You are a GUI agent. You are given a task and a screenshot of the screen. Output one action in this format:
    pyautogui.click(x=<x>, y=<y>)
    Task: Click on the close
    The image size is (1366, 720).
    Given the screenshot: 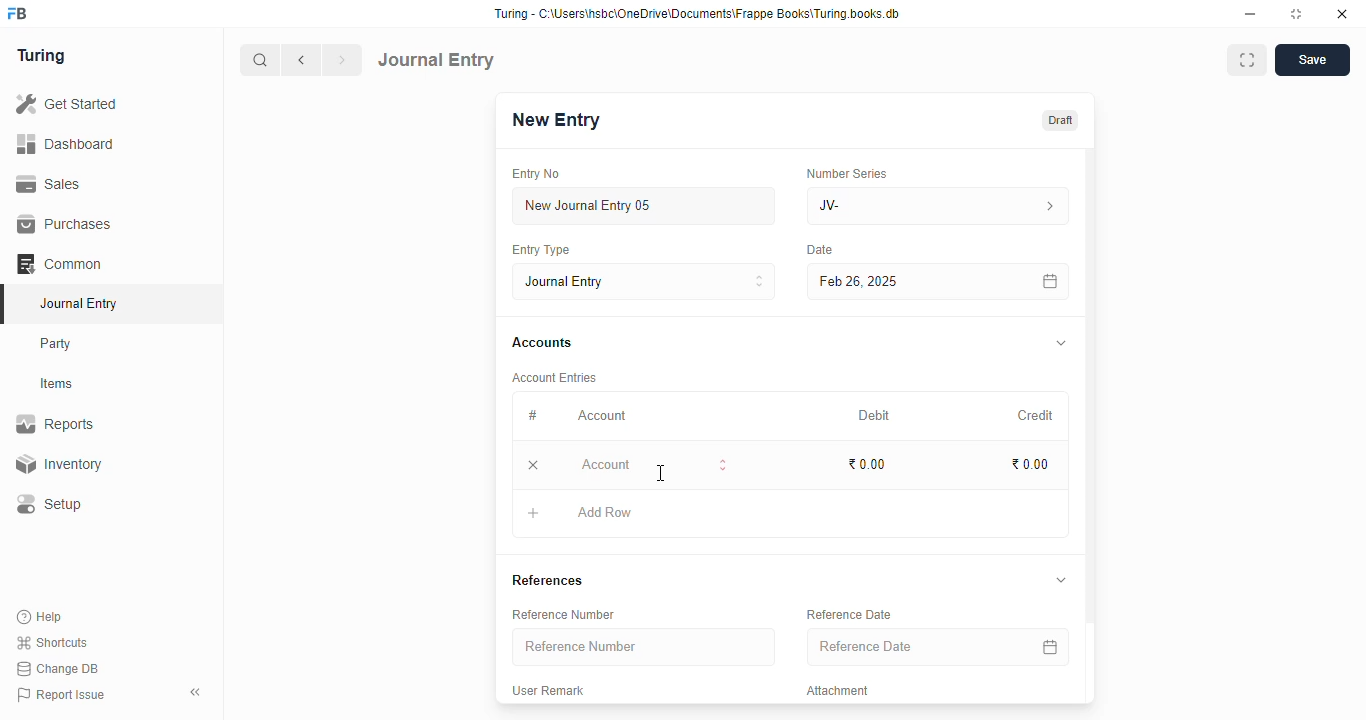 What is the action you would take?
    pyautogui.click(x=1342, y=14)
    